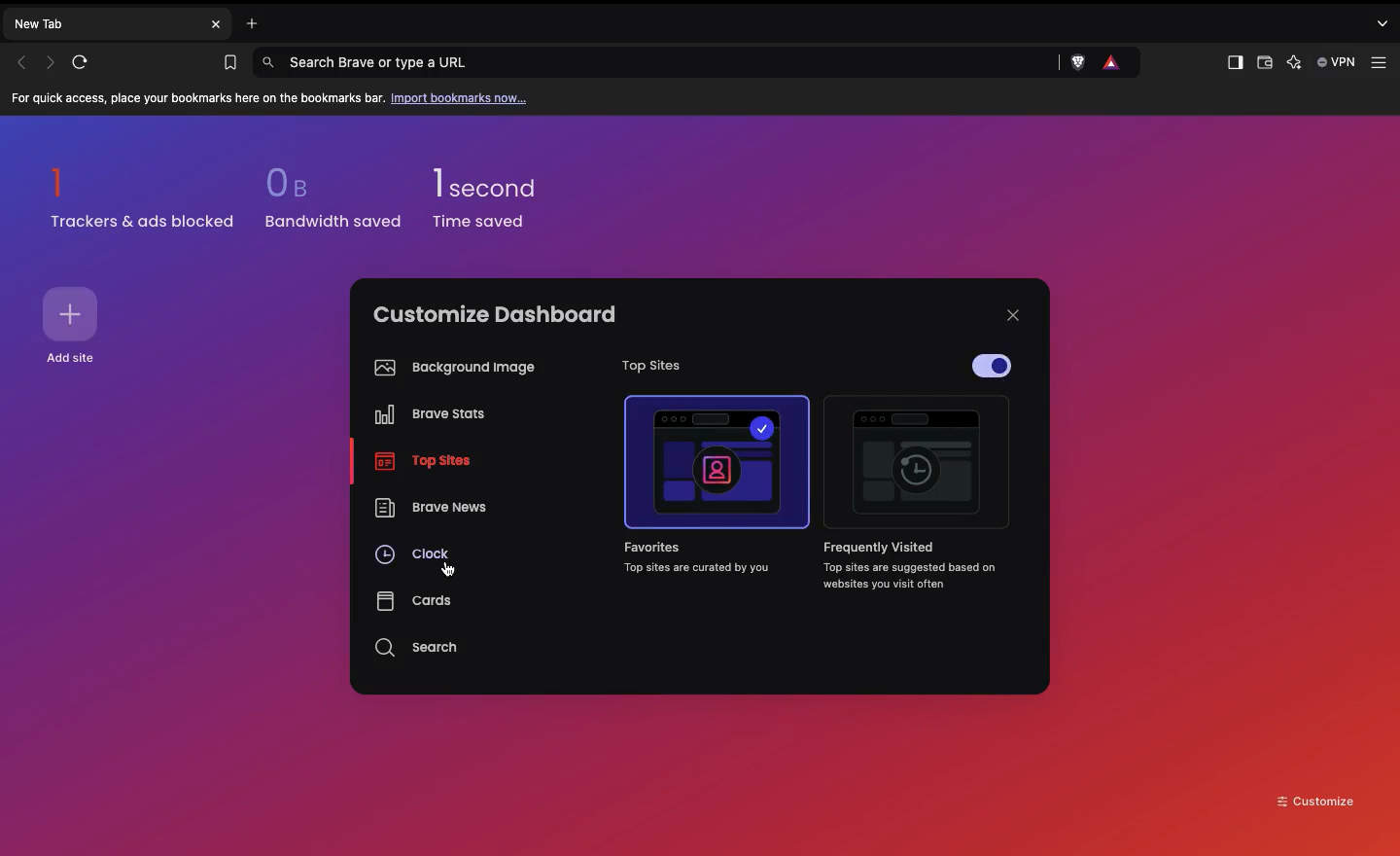 The image size is (1400, 856). What do you see at coordinates (52, 61) in the screenshot?
I see `Next page` at bounding box center [52, 61].